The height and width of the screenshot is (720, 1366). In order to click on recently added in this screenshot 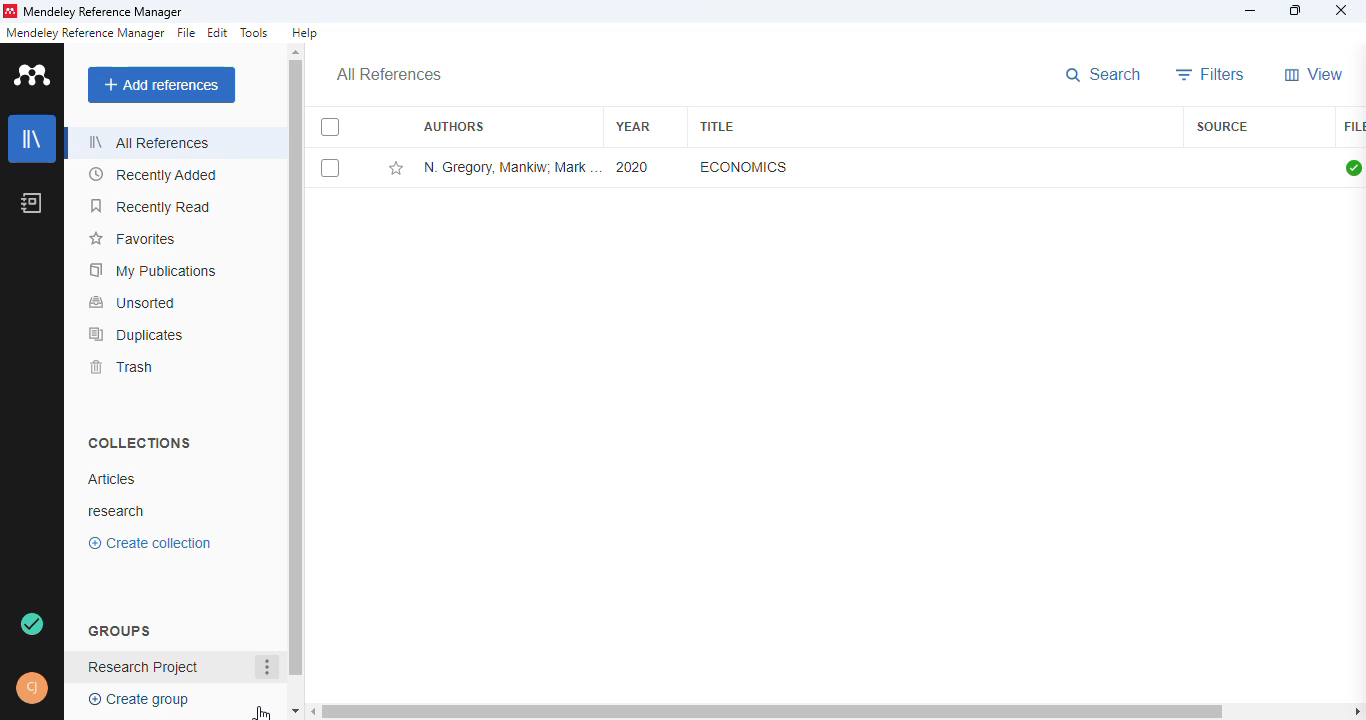, I will do `click(153, 174)`.